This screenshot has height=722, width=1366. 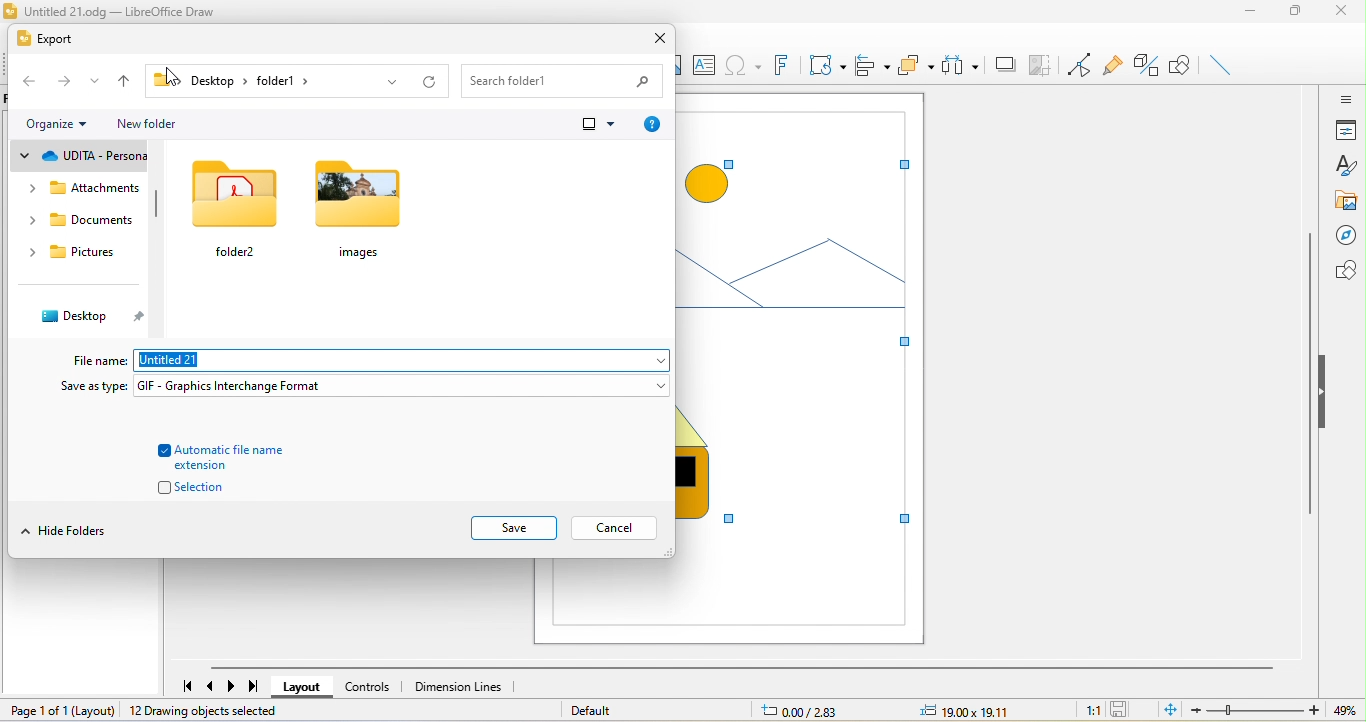 What do you see at coordinates (1347, 165) in the screenshot?
I see `style` at bounding box center [1347, 165].